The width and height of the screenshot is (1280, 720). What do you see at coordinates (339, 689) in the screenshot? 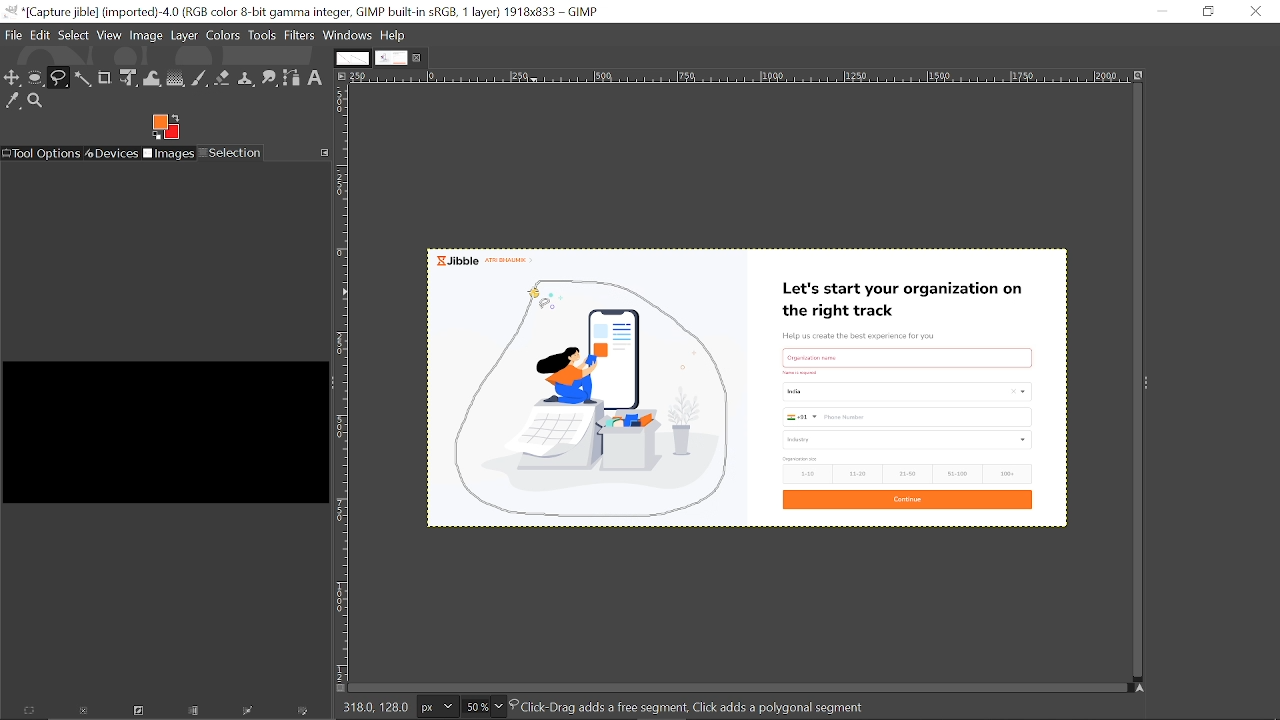
I see `Toggle quick mask on/off` at bounding box center [339, 689].